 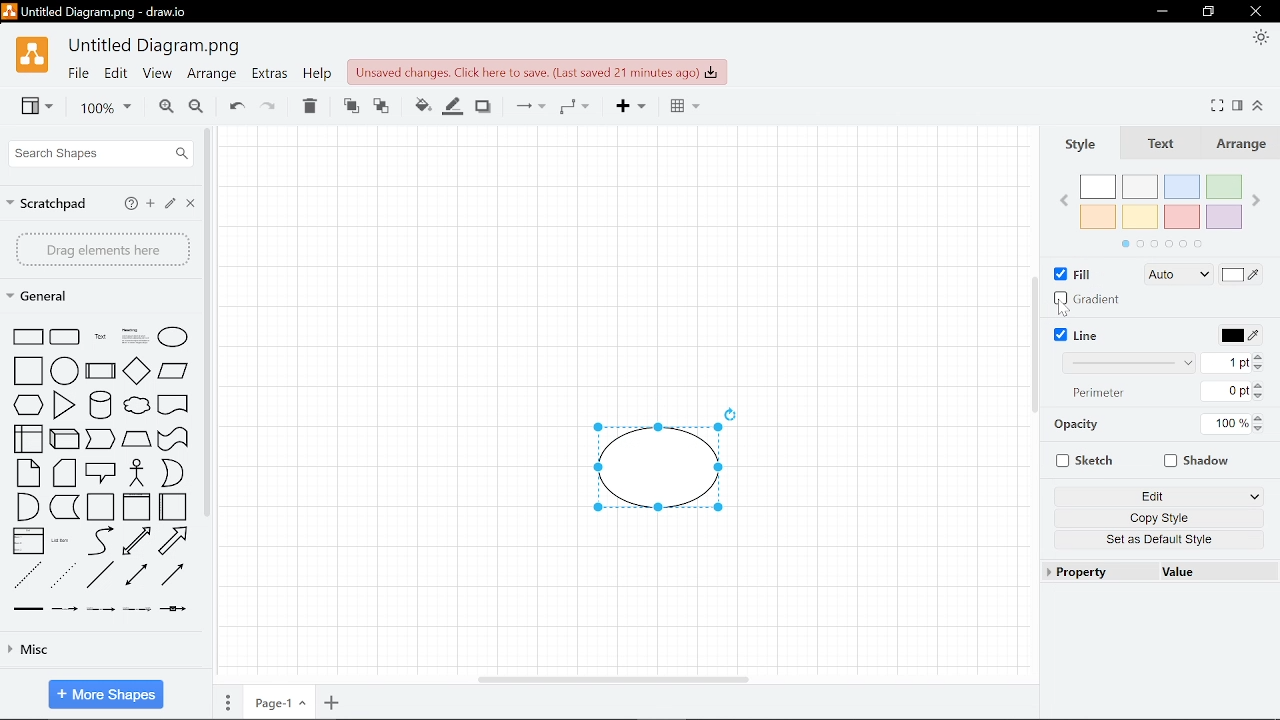 I want to click on Current zoom, so click(x=101, y=108).